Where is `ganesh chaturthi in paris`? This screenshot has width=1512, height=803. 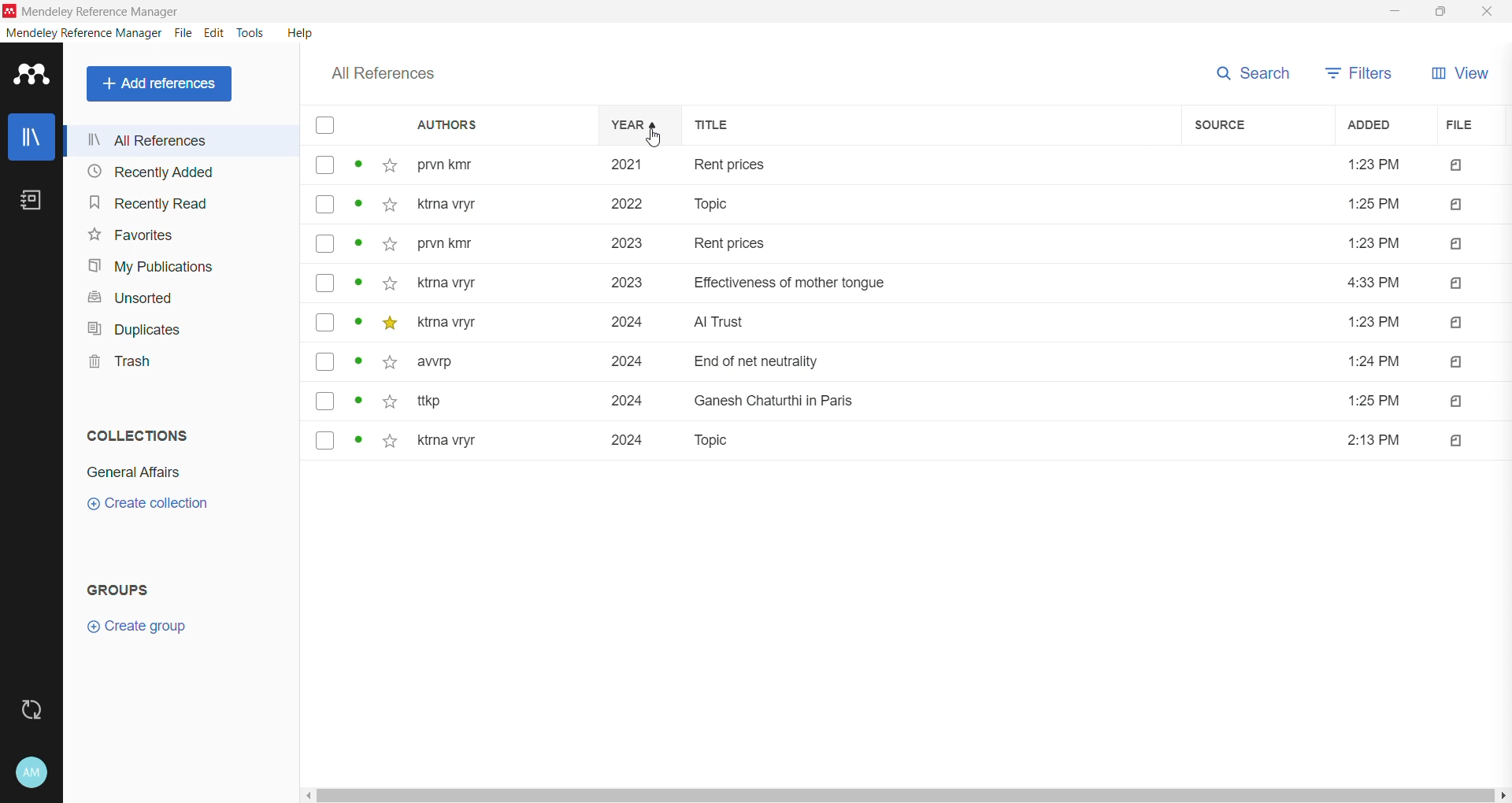
ganesh chaturthi in paris is located at coordinates (787, 402).